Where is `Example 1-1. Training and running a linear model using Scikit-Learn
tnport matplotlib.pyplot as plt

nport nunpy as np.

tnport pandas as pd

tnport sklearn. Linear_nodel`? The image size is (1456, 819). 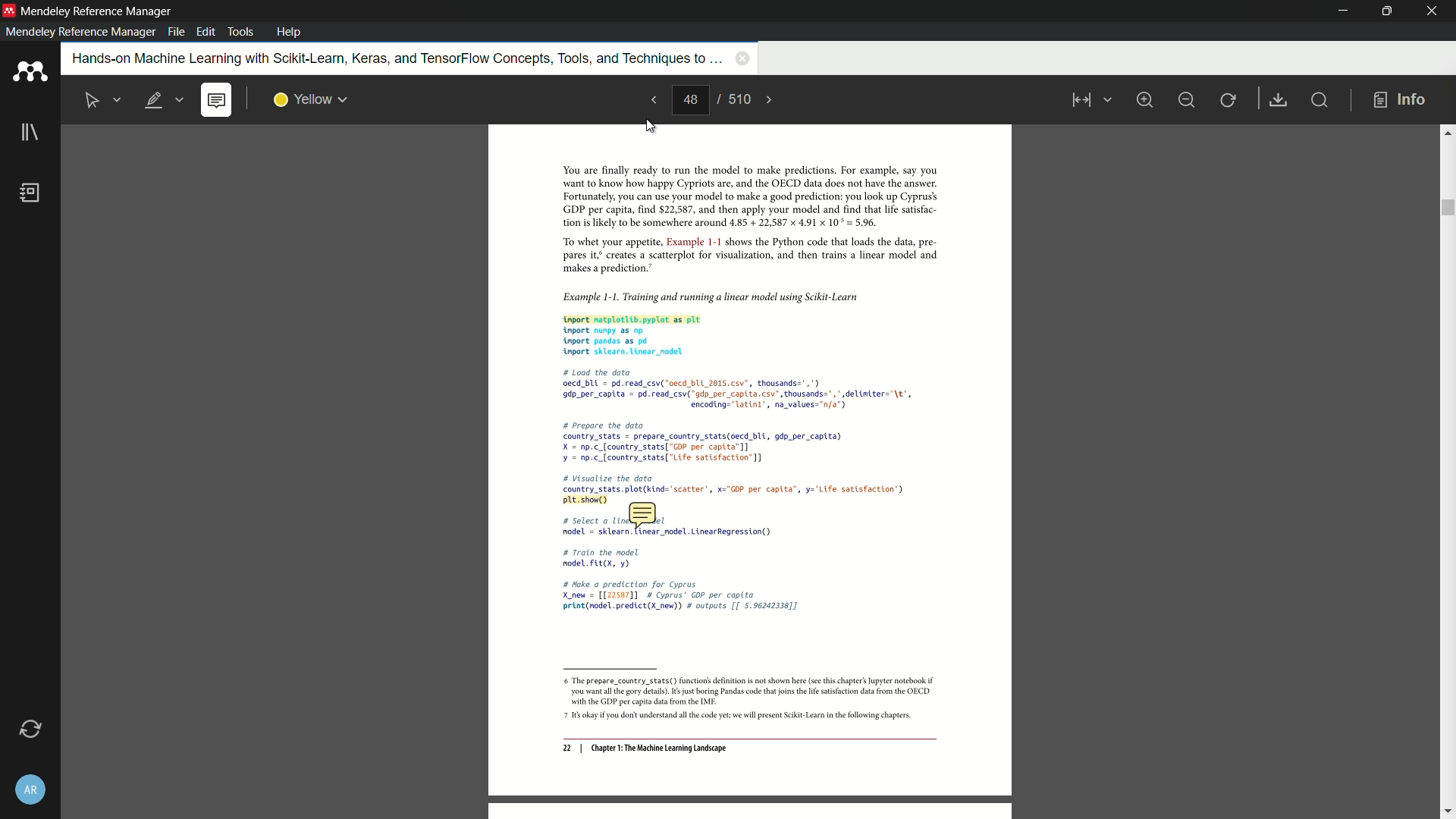
Example 1-1. Training and running a linear model using Scikit-Learn
tnport matplotlib.pyplot as plt

nport nunpy as np.

tnport pandas as pd

tnport sklearn. Linear_nodel is located at coordinates (740, 322).